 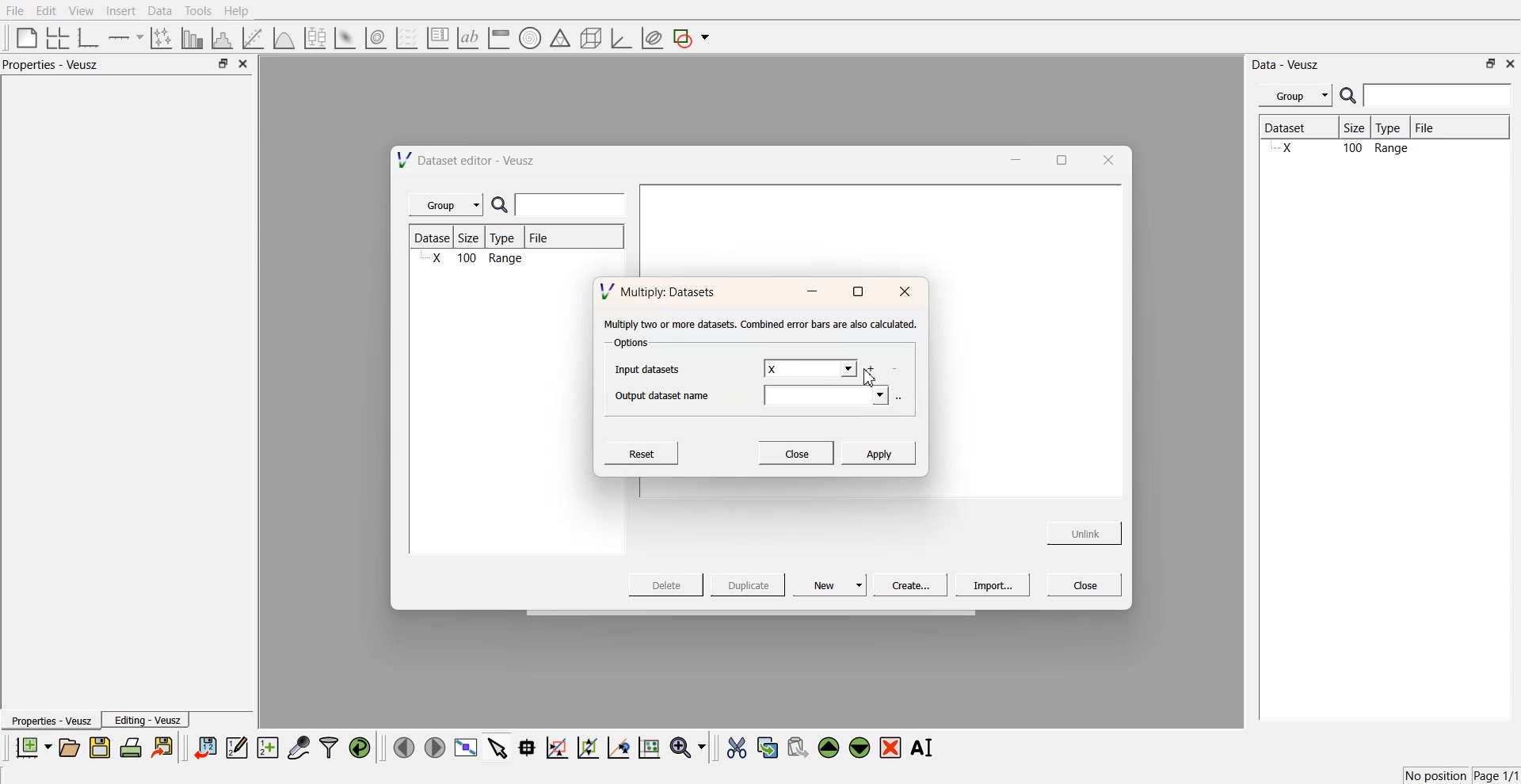 I want to click on , so click(x=1295, y=96).